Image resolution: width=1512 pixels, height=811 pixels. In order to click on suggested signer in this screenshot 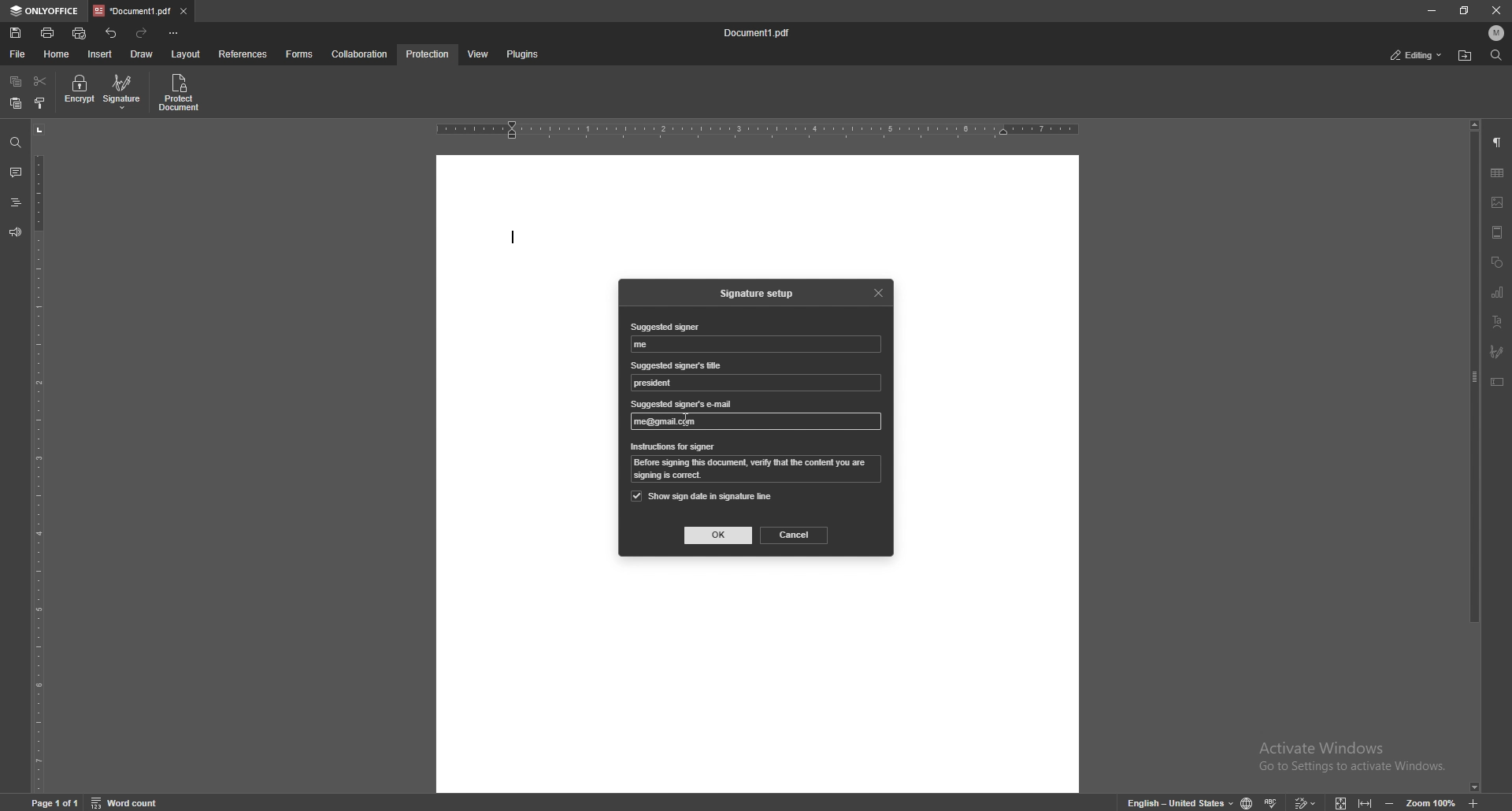, I will do `click(664, 328)`.